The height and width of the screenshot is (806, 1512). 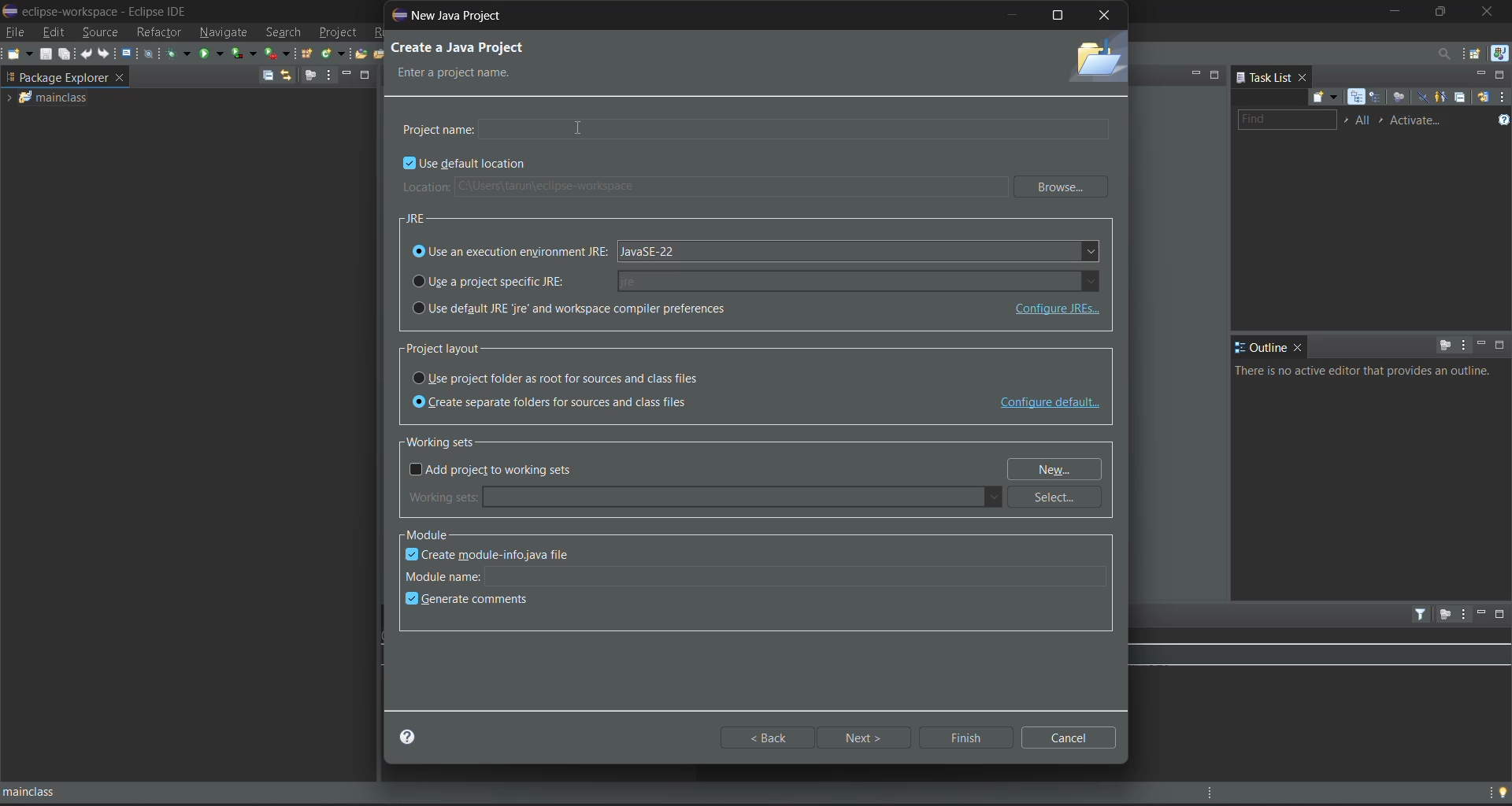 What do you see at coordinates (757, 252) in the screenshot?
I see `use an execution argument` at bounding box center [757, 252].